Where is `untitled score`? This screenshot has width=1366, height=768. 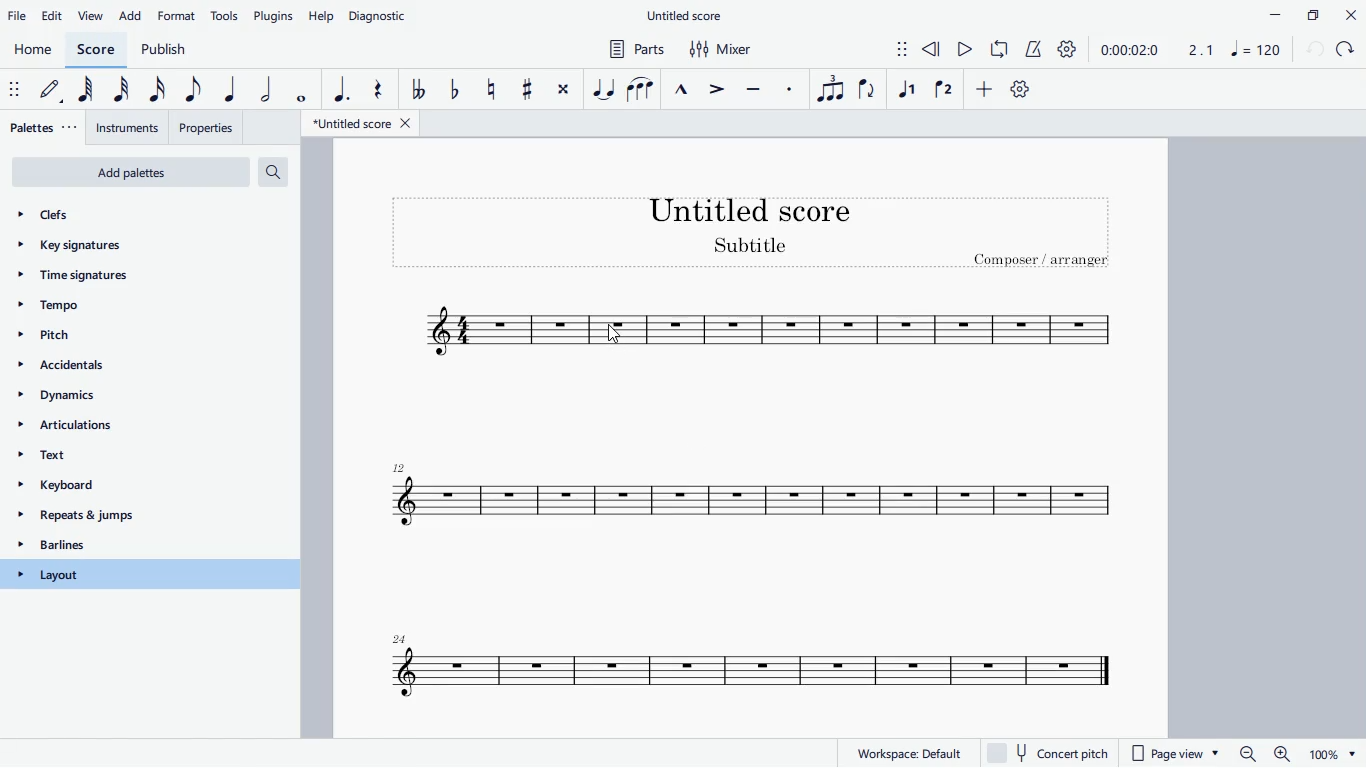
untitled score is located at coordinates (687, 16).